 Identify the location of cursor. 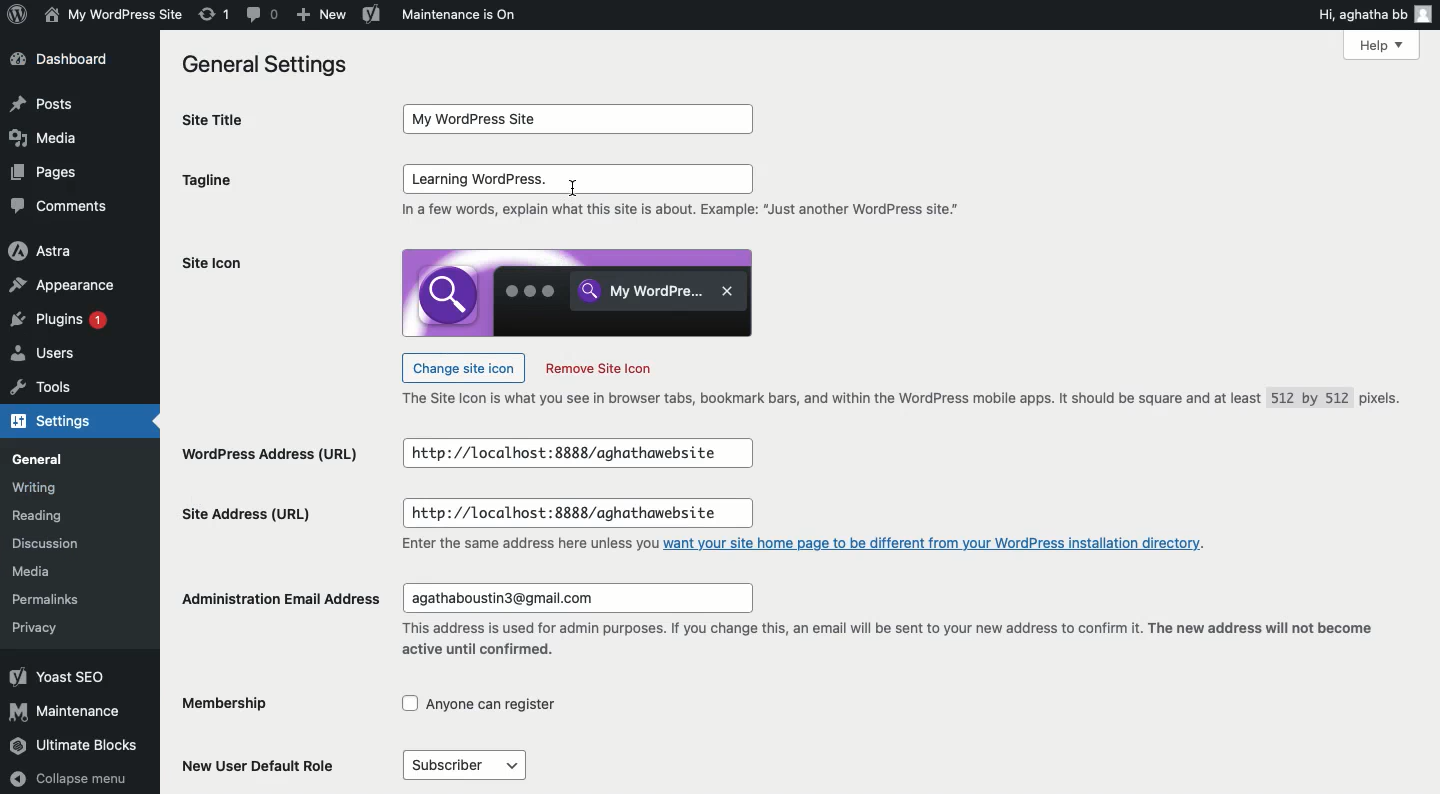
(571, 189).